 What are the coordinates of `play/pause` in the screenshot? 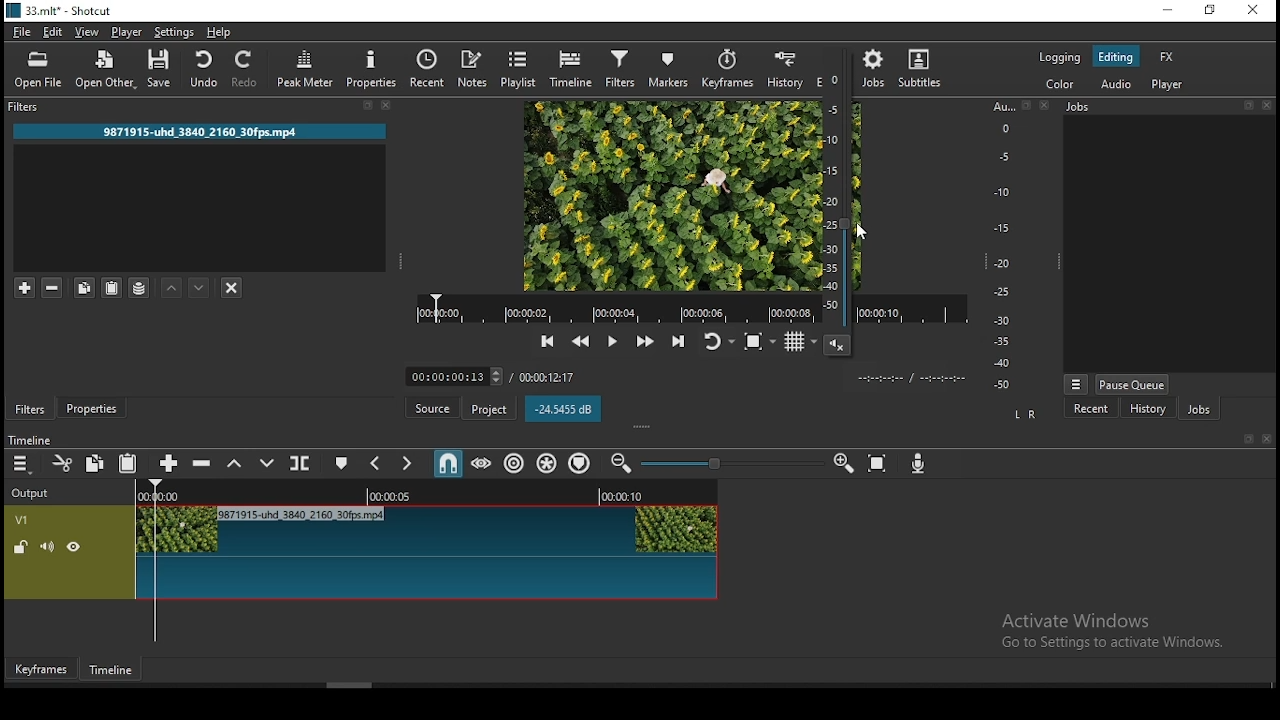 It's located at (614, 343).